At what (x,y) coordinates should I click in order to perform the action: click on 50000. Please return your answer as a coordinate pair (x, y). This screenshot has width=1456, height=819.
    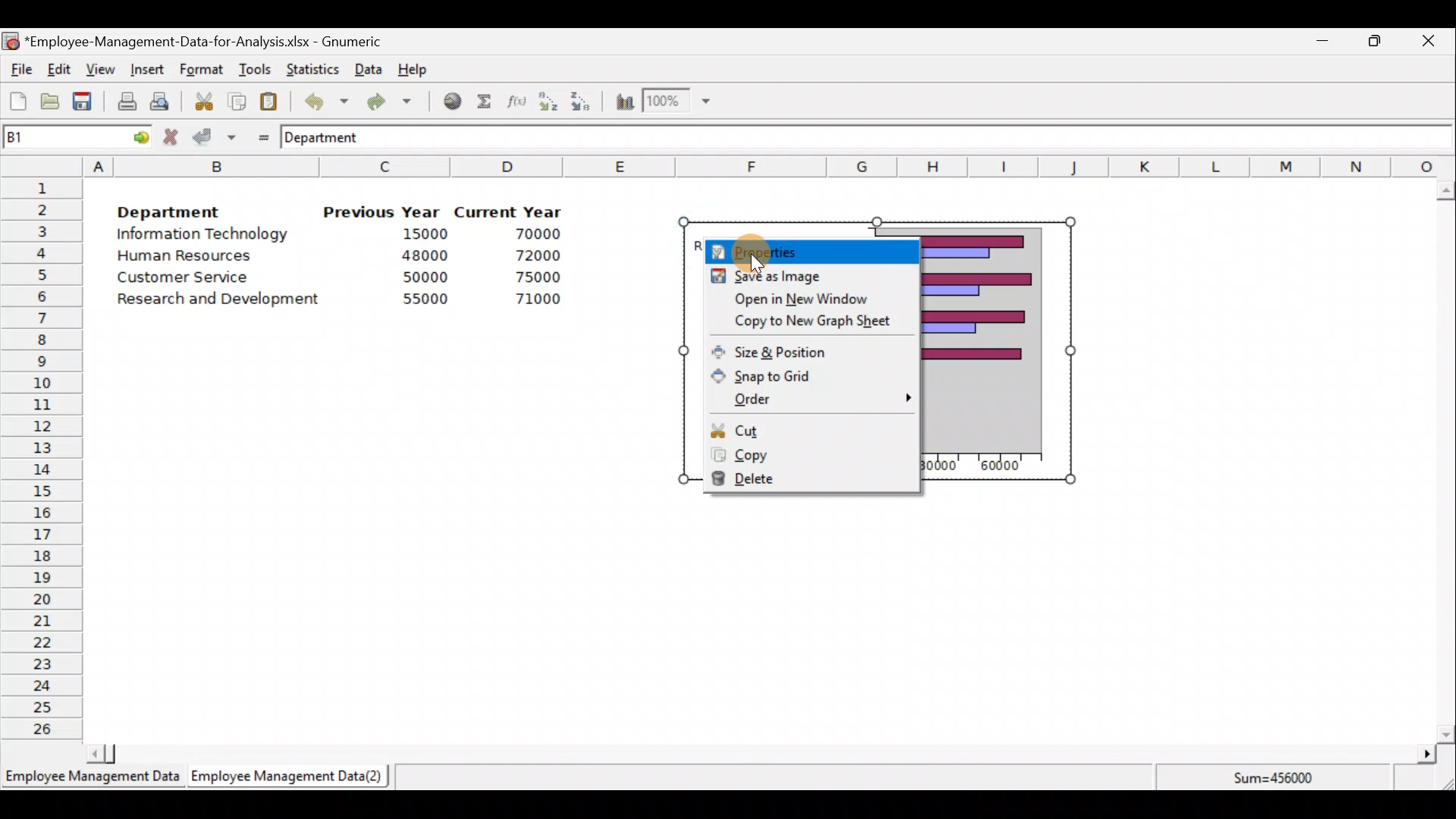
    Looking at the image, I should click on (429, 277).